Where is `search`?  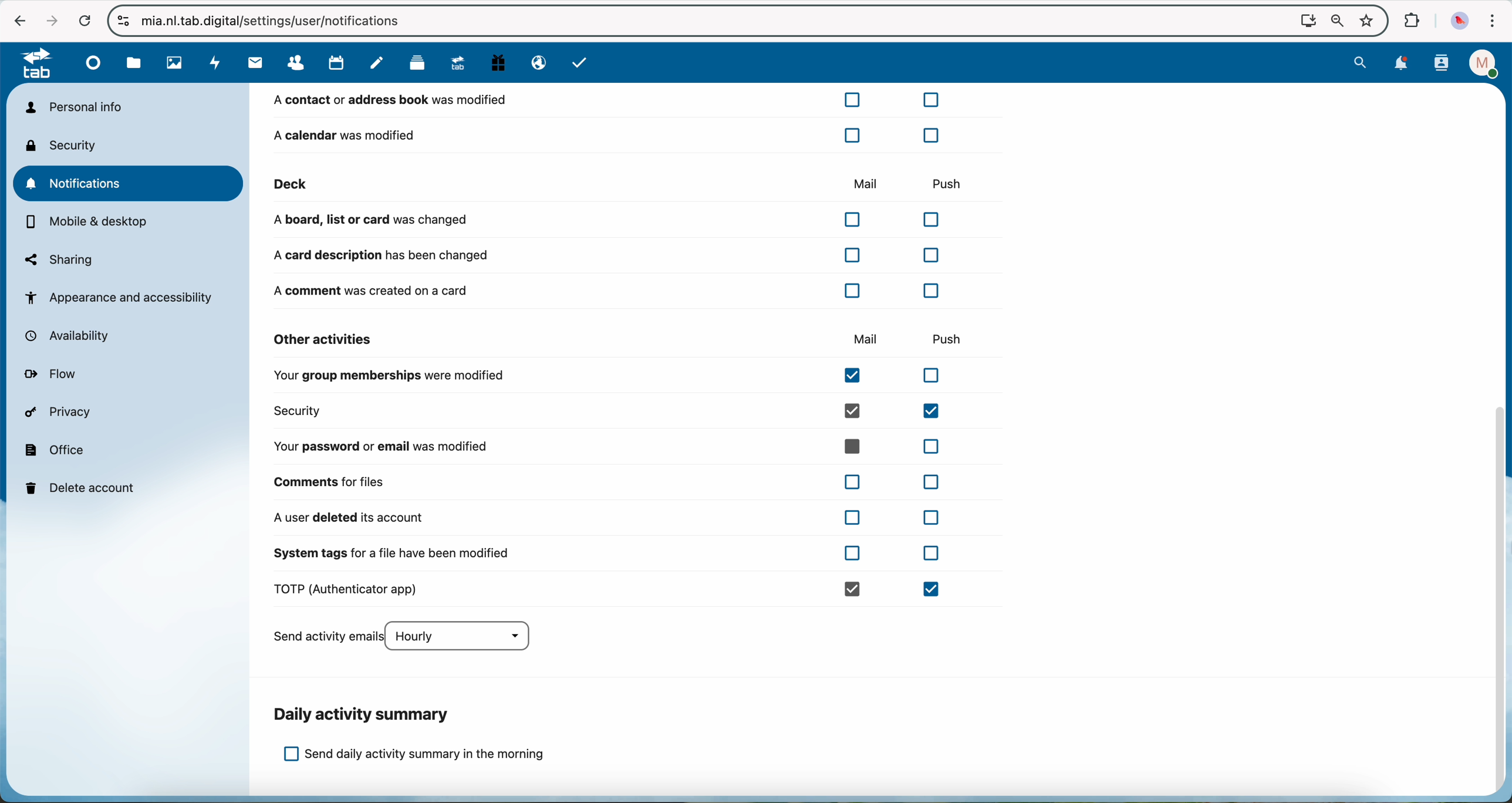
search is located at coordinates (1362, 62).